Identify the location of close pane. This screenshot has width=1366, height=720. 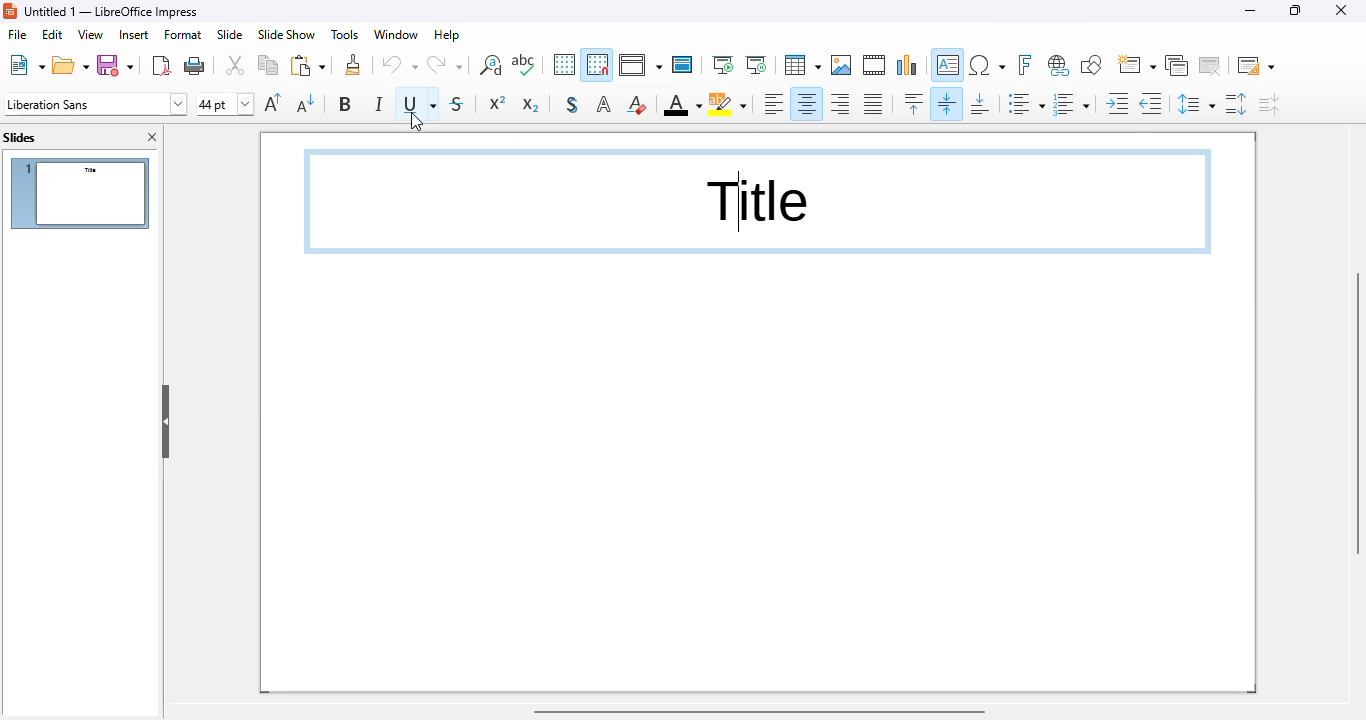
(153, 136).